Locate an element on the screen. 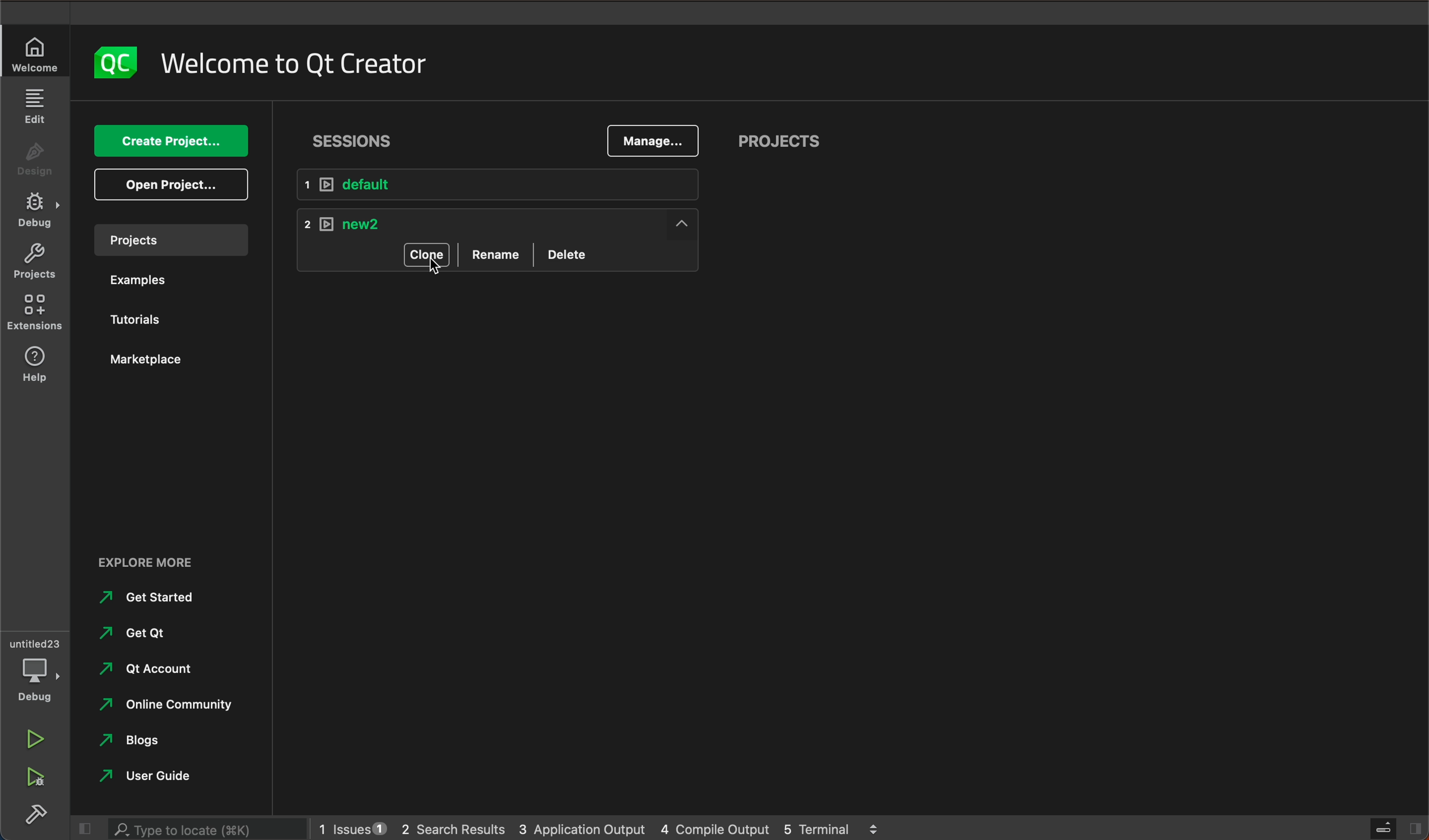 This screenshot has height=840, width=1429. explore more is located at coordinates (166, 562).